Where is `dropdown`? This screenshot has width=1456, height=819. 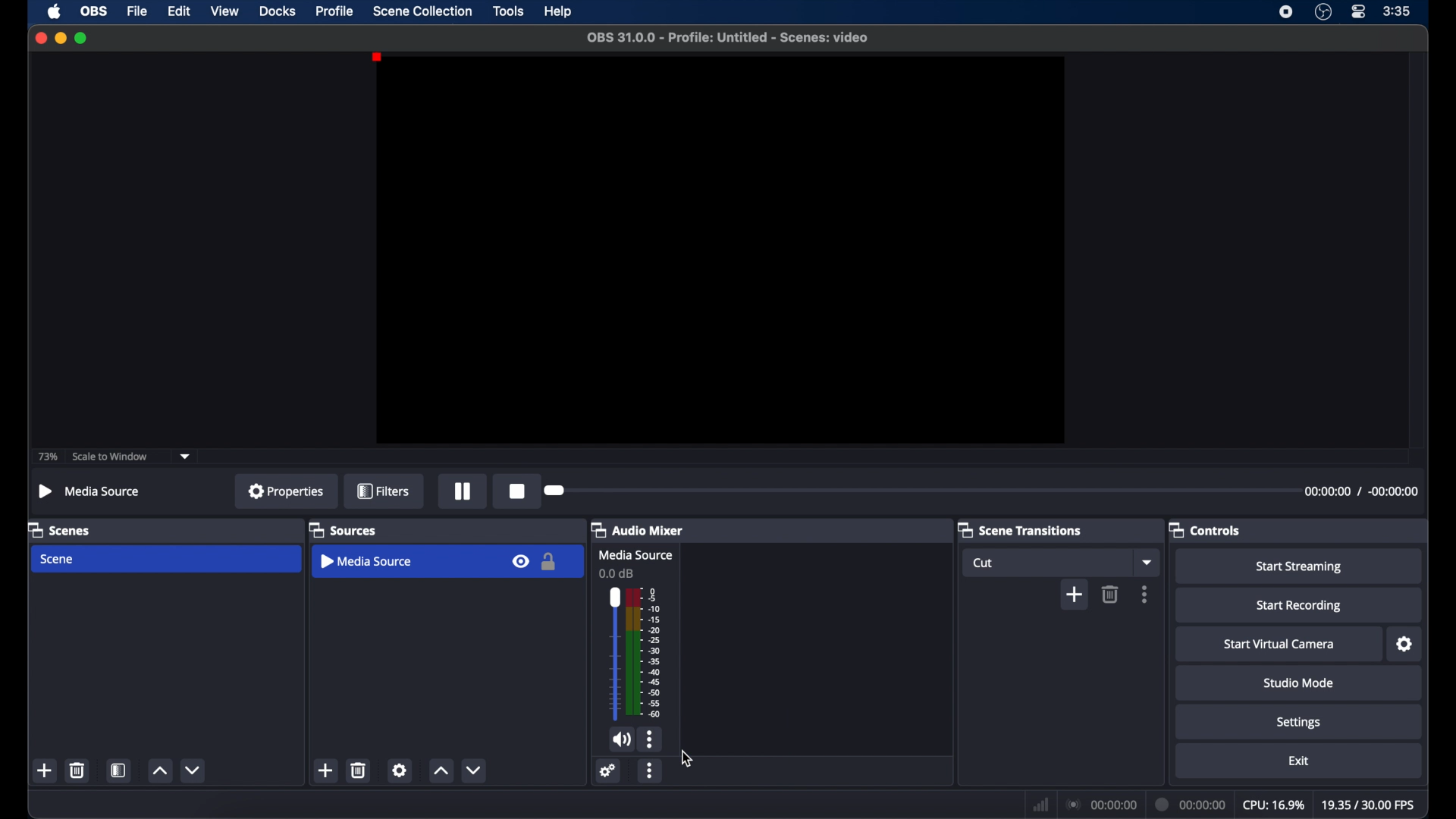
dropdown is located at coordinates (185, 457).